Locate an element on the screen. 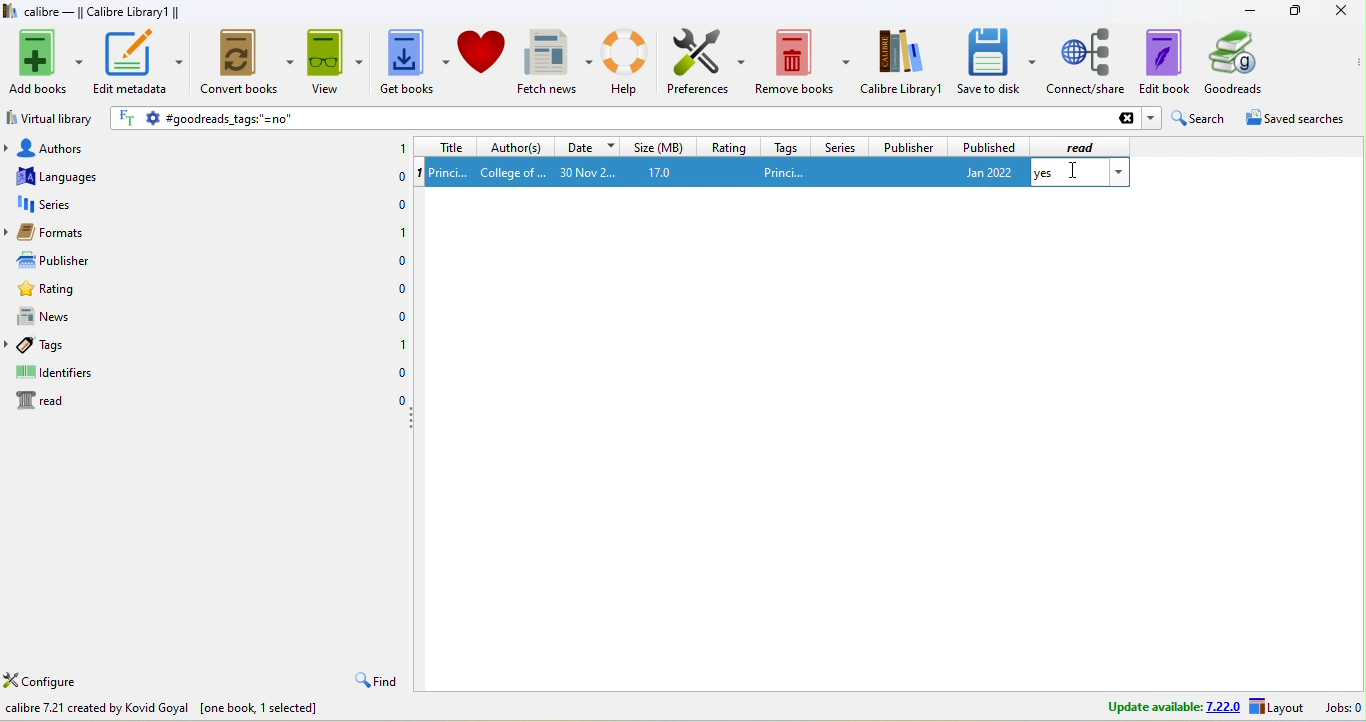 This screenshot has width=1366, height=722. dropdown is located at coordinates (1119, 172).